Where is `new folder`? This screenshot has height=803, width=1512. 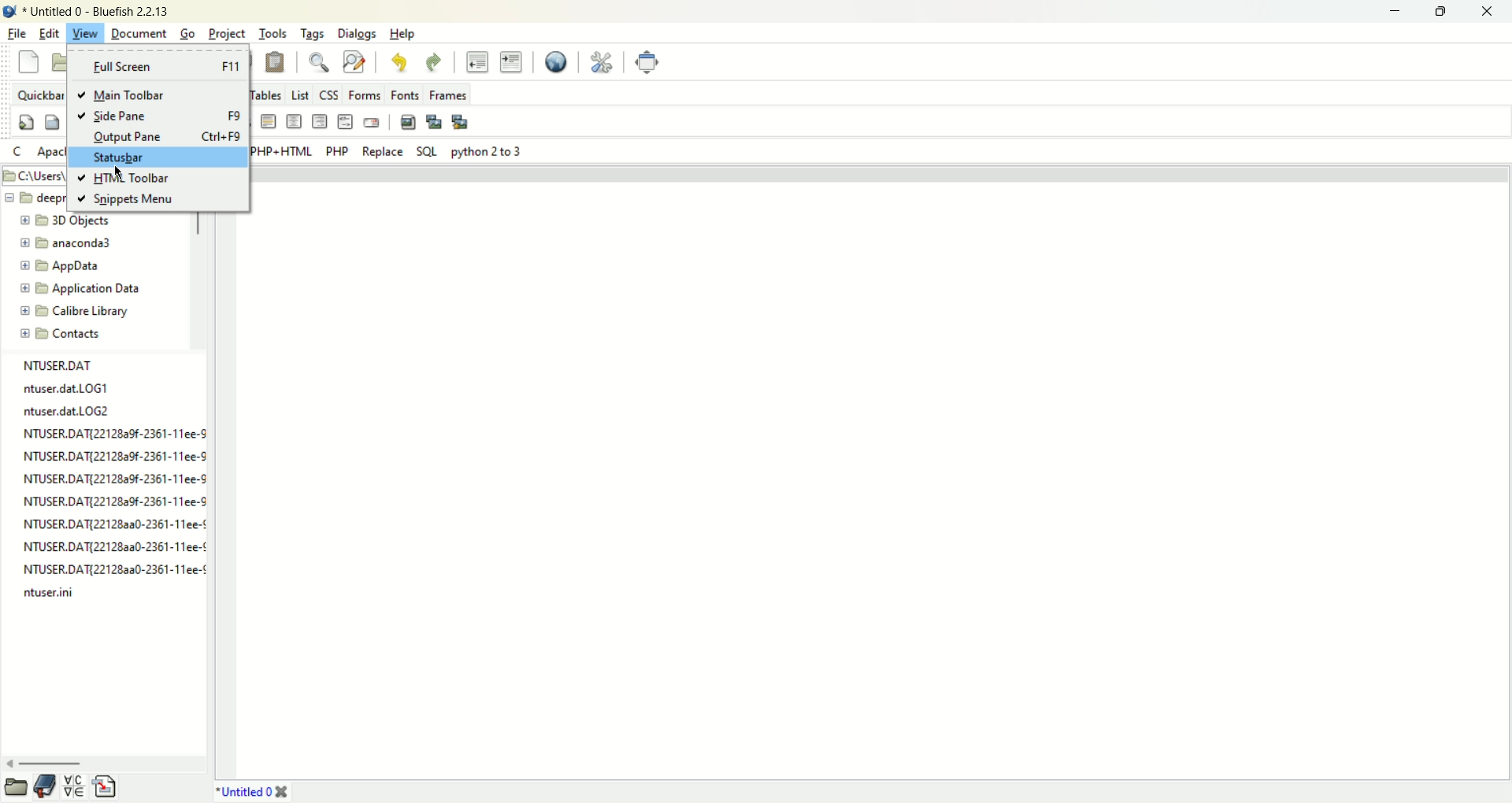 new folder is located at coordinates (99, 289).